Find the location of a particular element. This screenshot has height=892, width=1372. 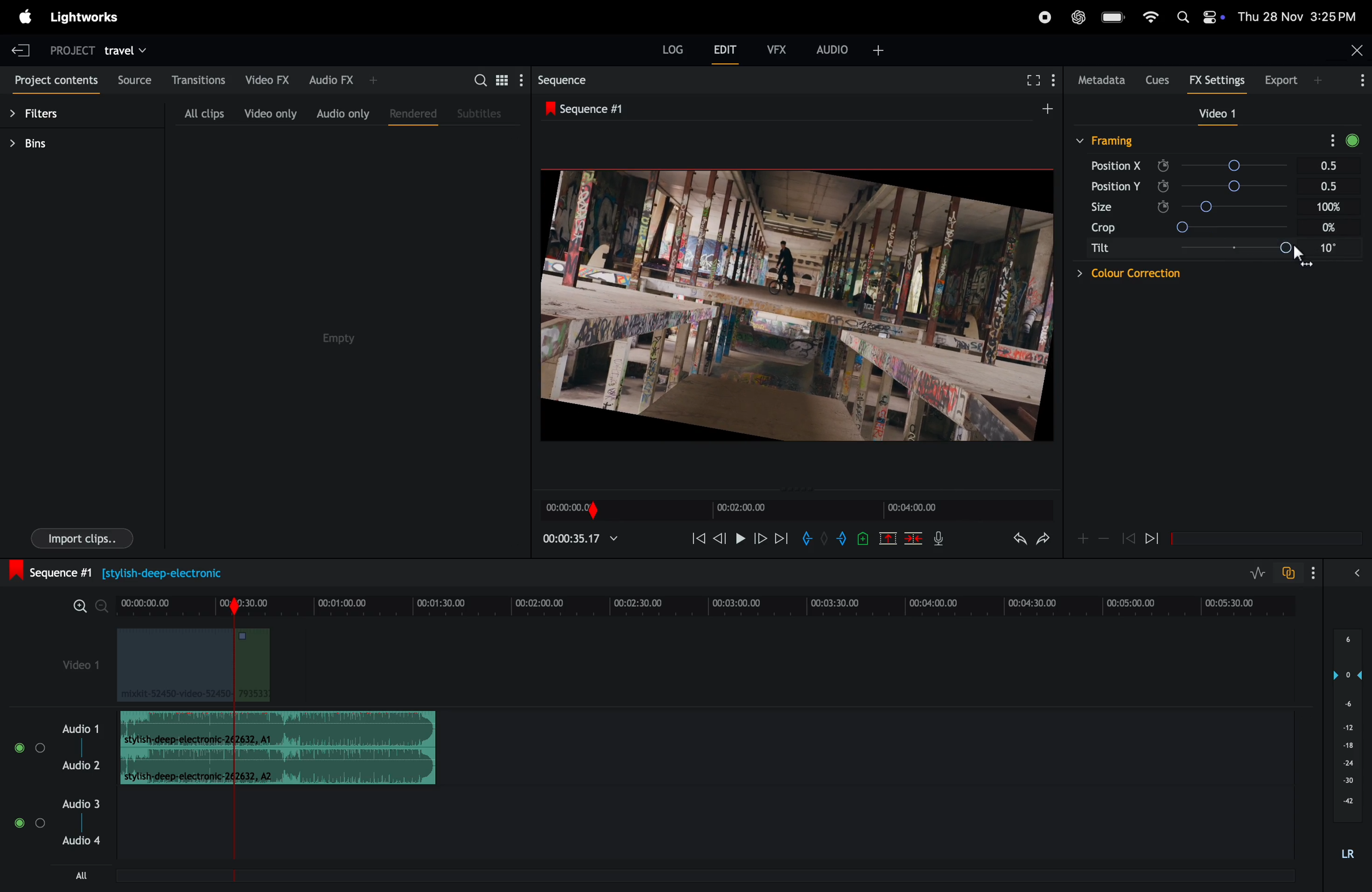

show settings  menu is located at coordinates (1329, 140).